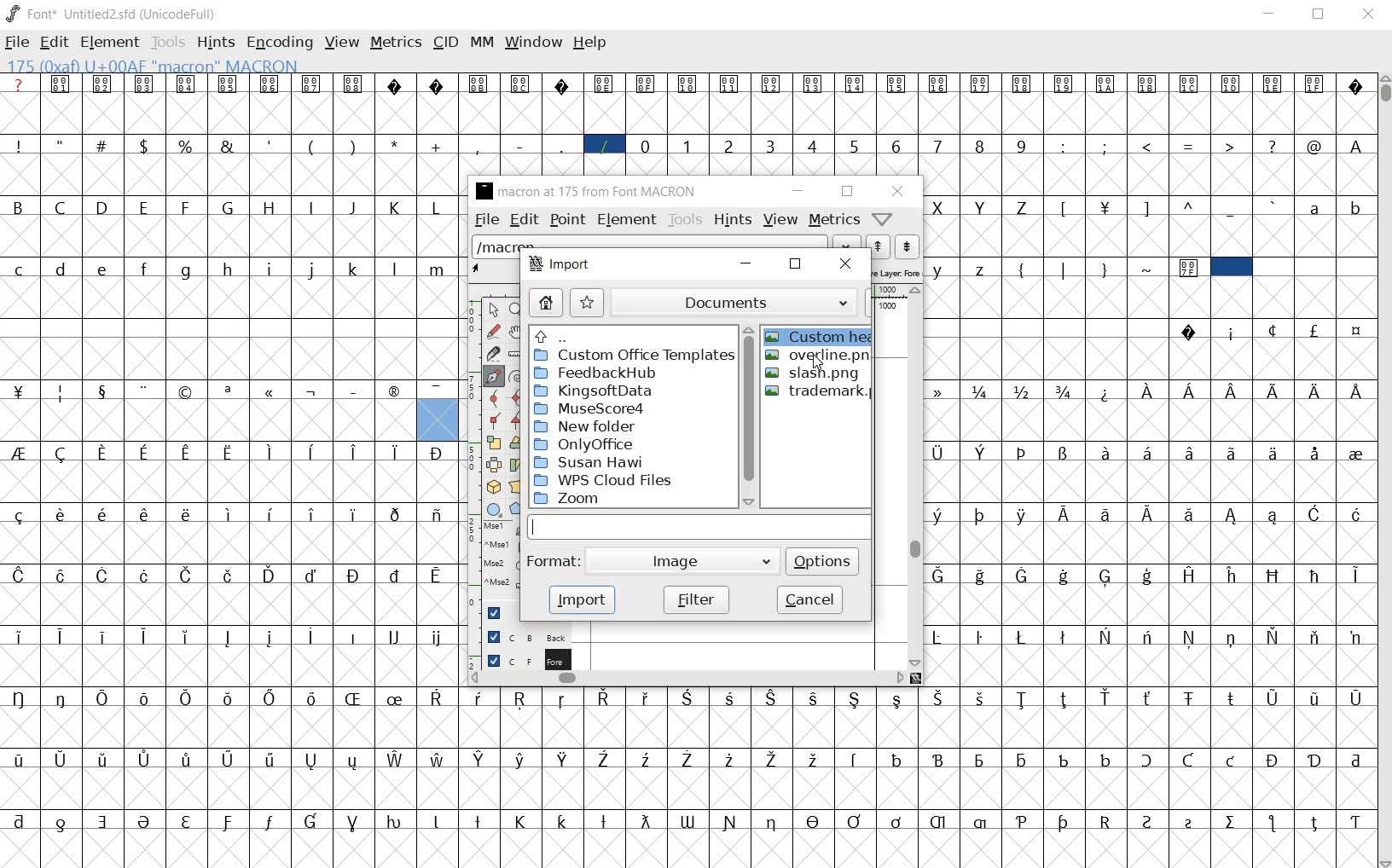  I want to click on Symbol, so click(187, 84).